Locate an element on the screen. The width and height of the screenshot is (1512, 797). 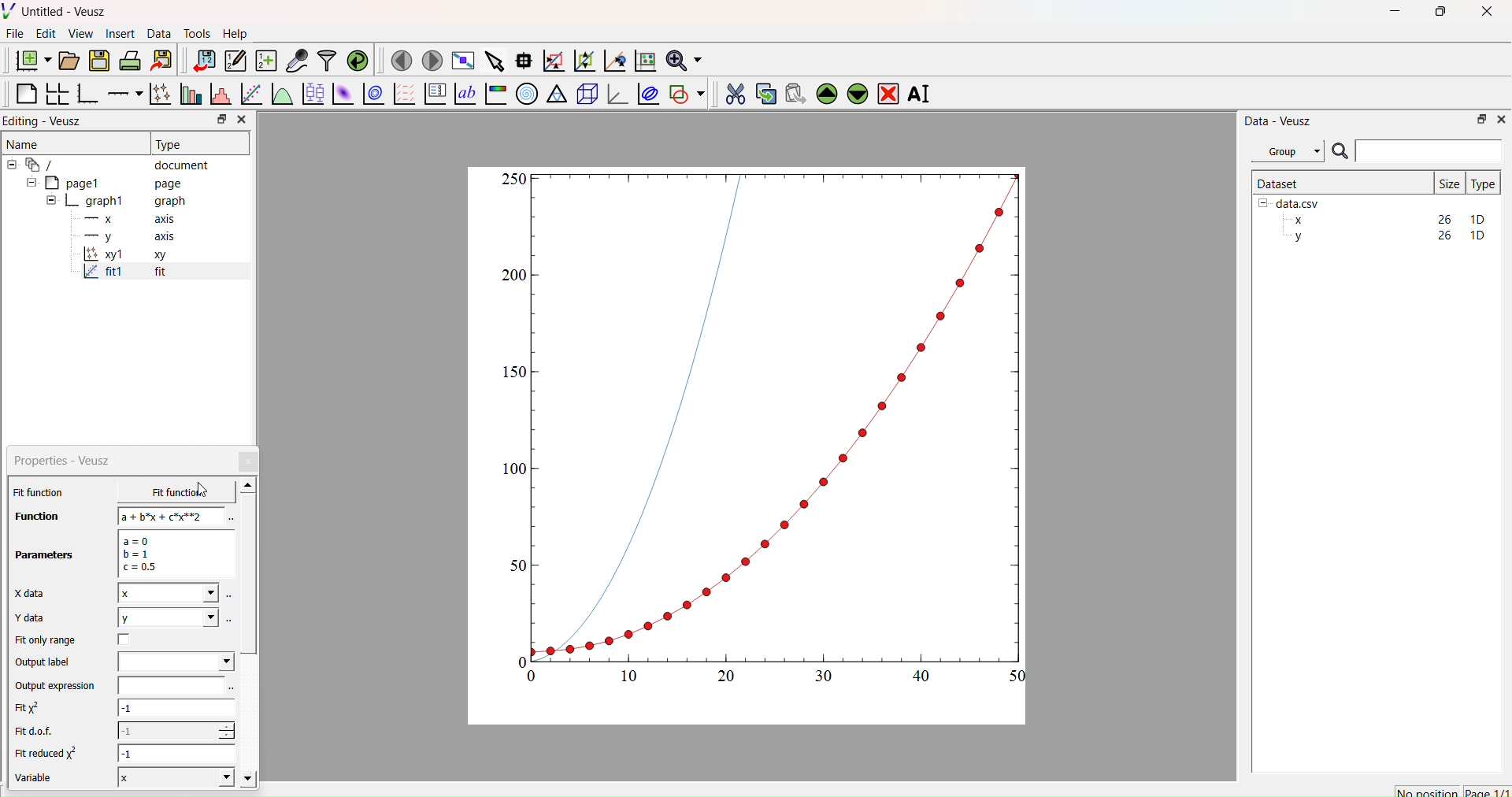
3d scene is located at coordinates (585, 91).